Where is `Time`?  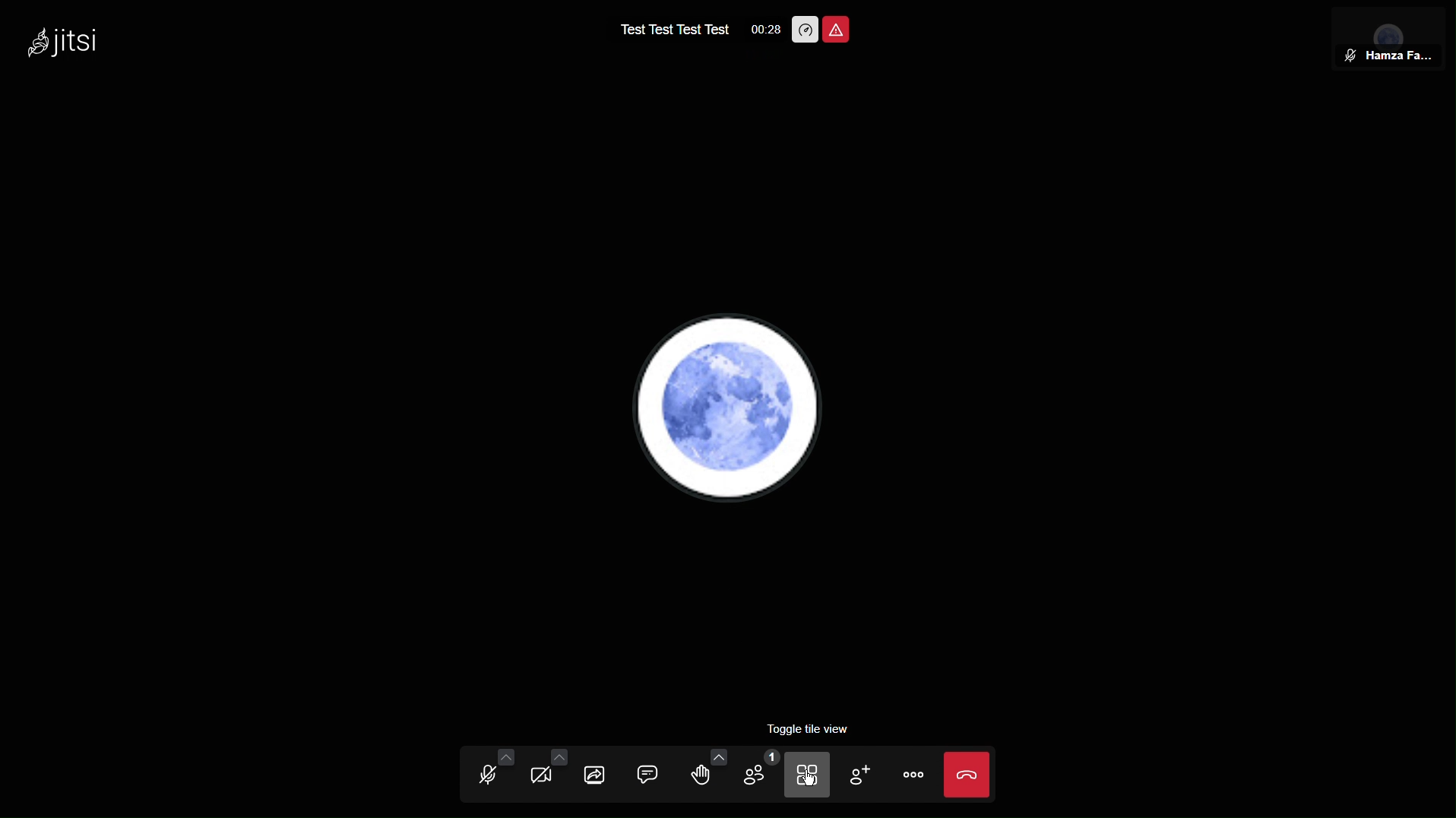
Time is located at coordinates (761, 29).